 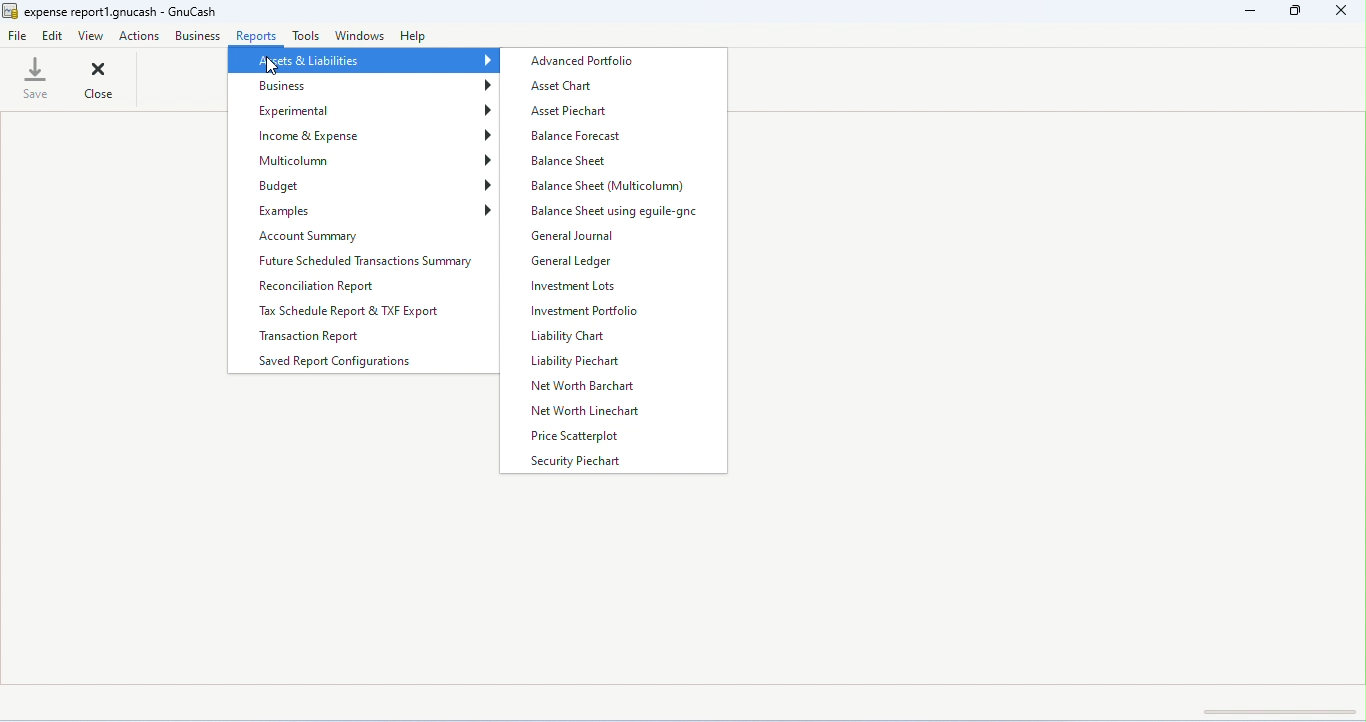 What do you see at coordinates (579, 362) in the screenshot?
I see `liability piechart` at bounding box center [579, 362].